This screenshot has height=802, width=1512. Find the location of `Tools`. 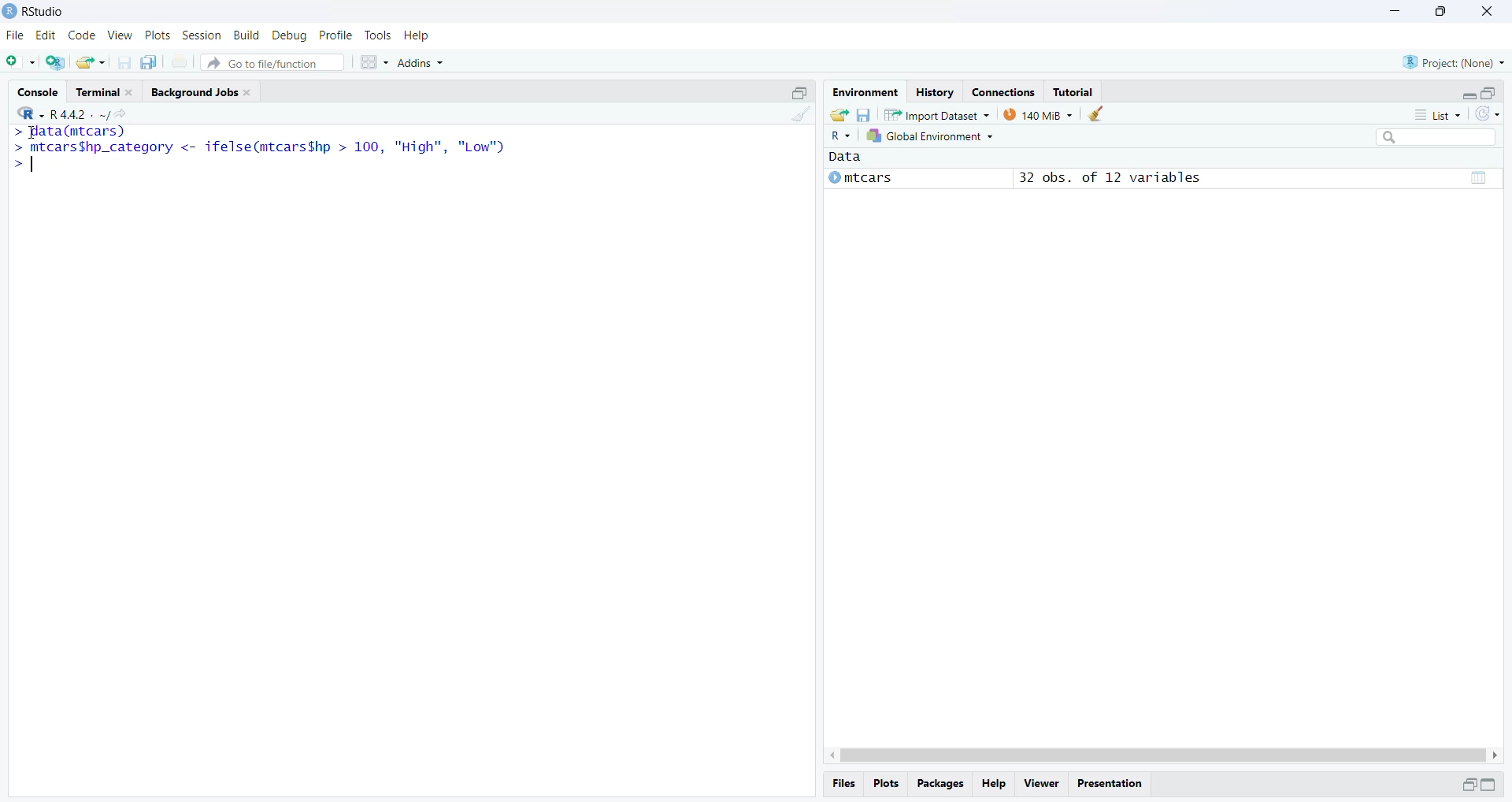

Tools is located at coordinates (378, 35).